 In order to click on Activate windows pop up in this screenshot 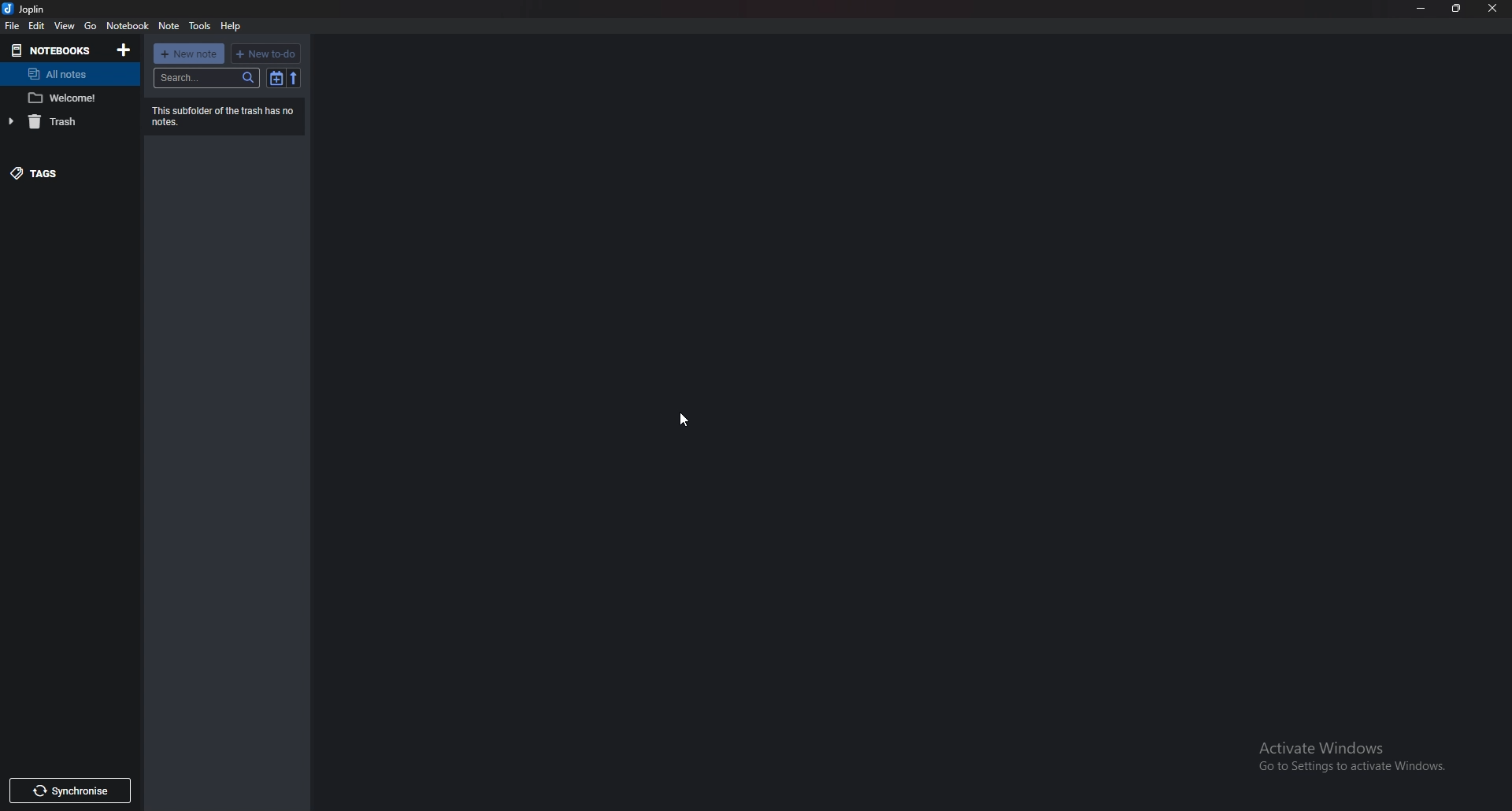, I will do `click(1355, 757)`.